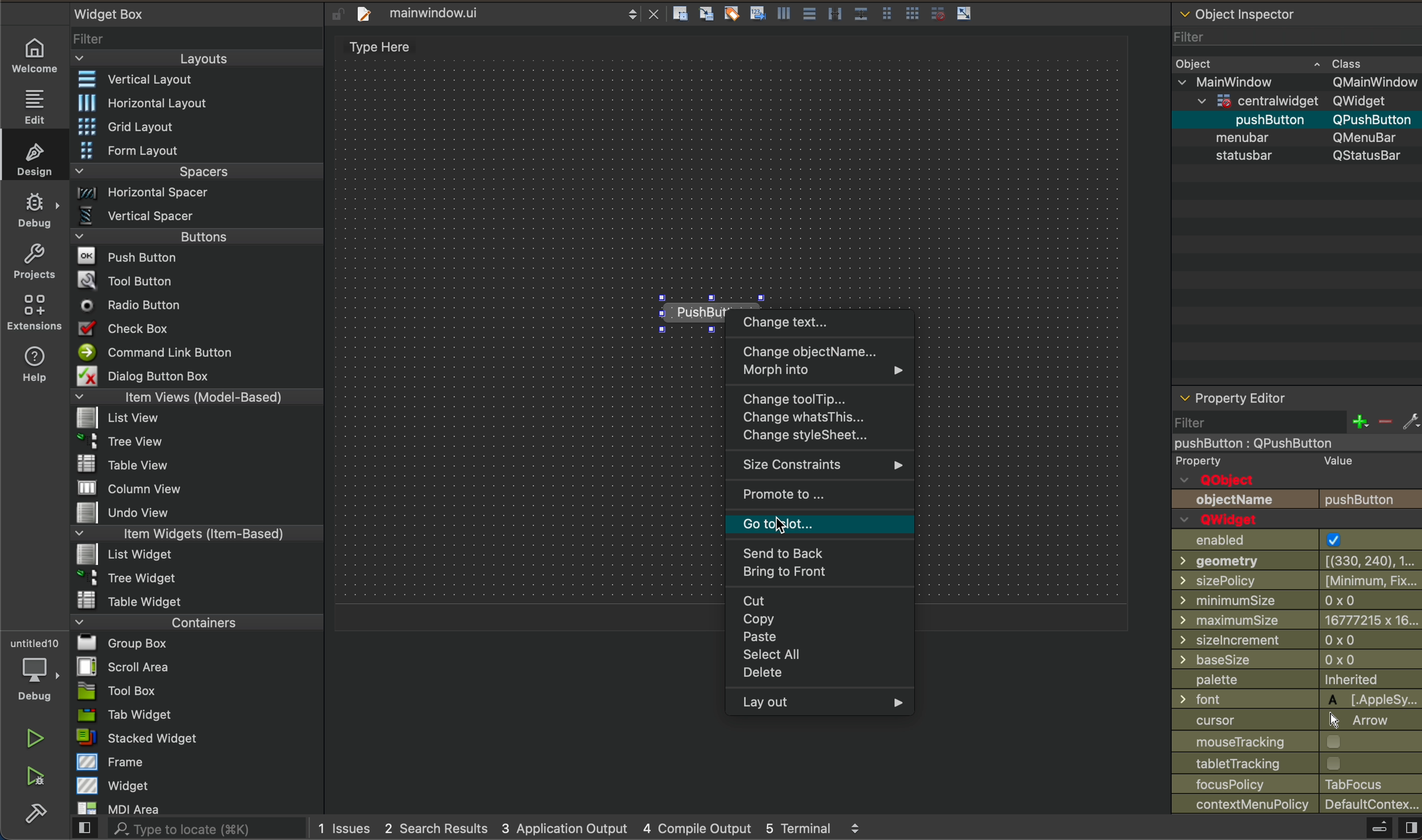 Image resolution: width=1422 pixels, height=840 pixels. What do you see at coordinates (194, 646) in the screenshot?
I see `group box` at bounding box center [194, 646].